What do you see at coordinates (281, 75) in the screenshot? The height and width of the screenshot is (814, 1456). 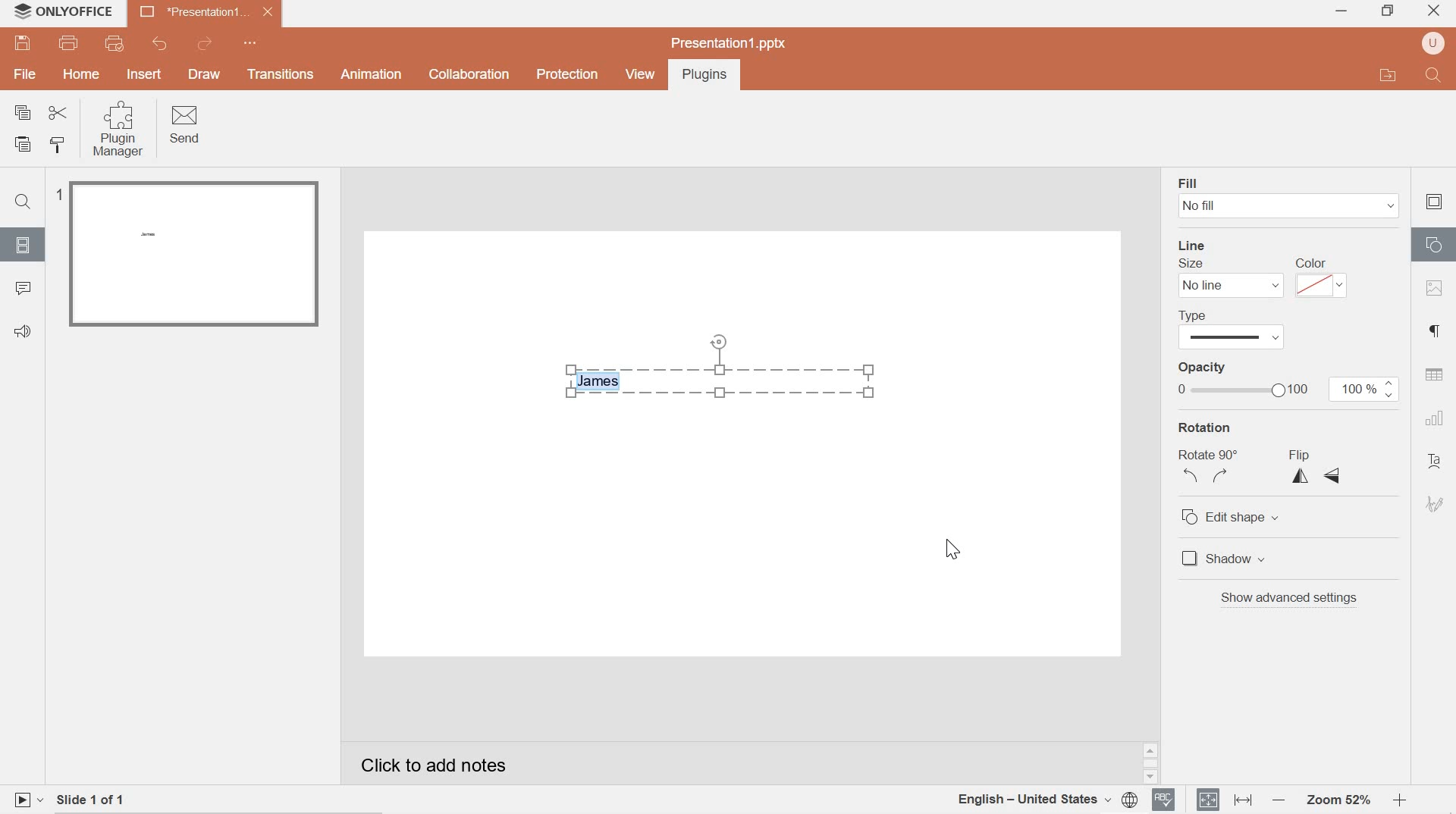 I see `Transitions` at bounding box center [281, 75].